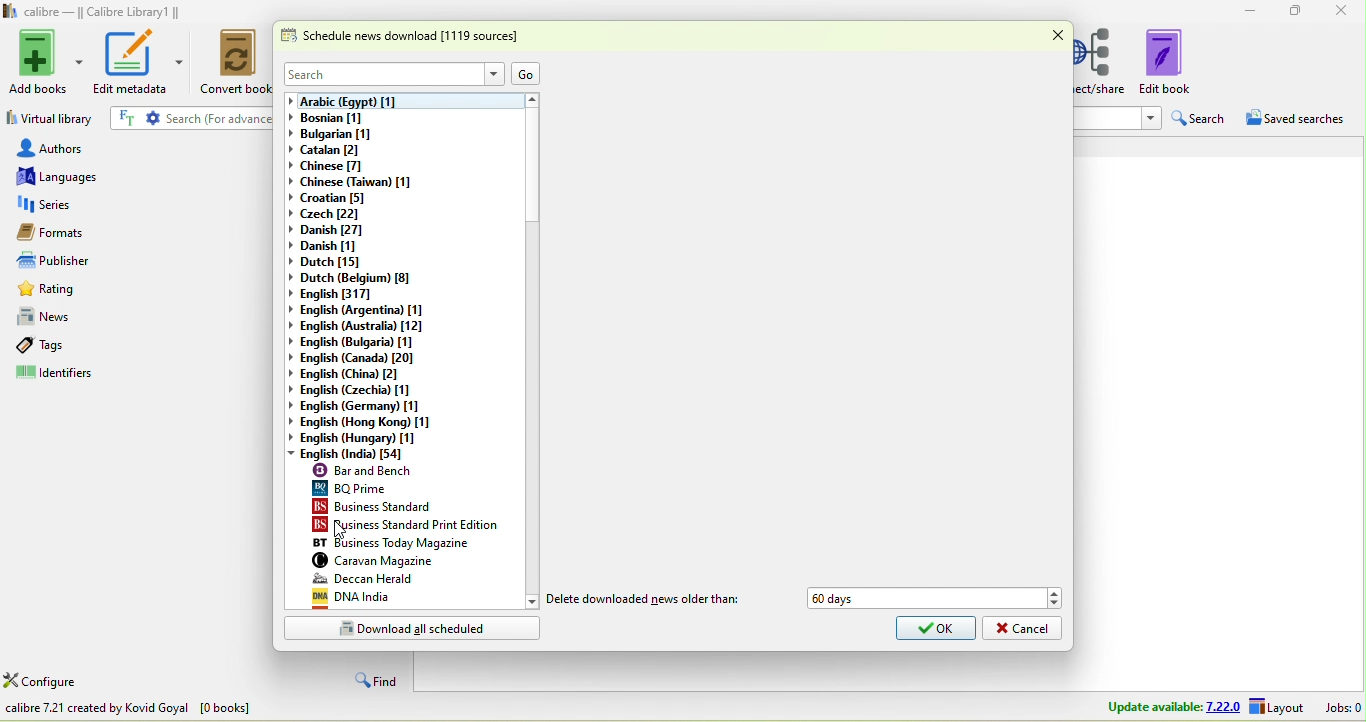  Describe the element at coordinates (402, 101) in the screenshot. I see `arabic (egypt) [1]` at that location.